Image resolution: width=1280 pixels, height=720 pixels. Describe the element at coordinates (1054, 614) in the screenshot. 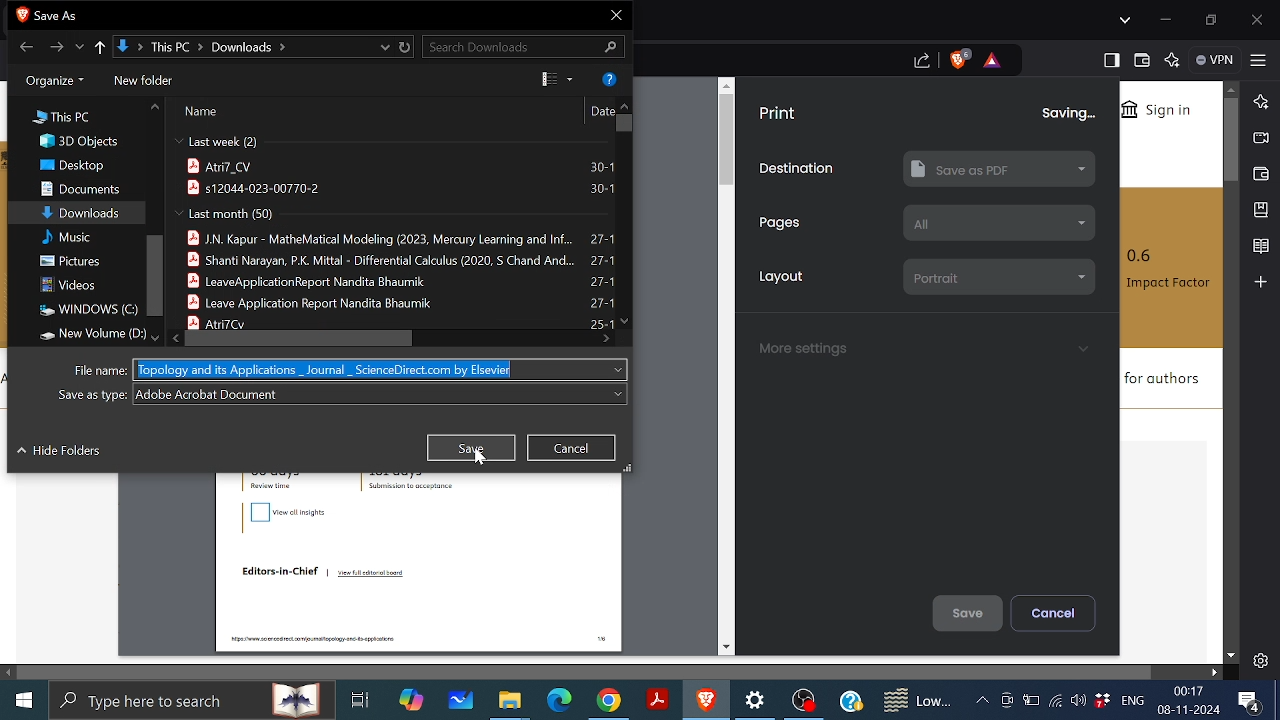

I see `Cancel` at that location.